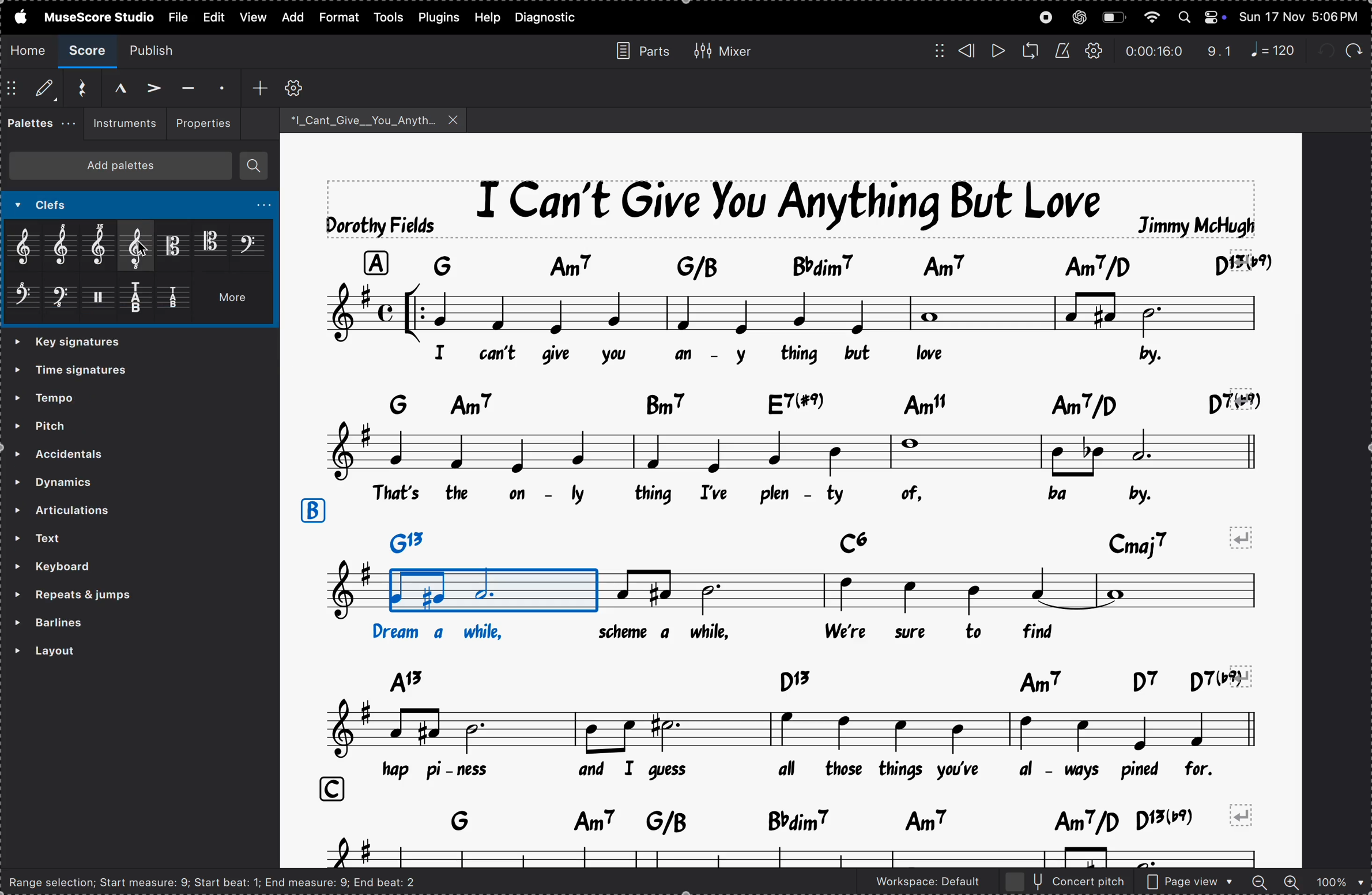 The height and width of the screenshot is (895, 1372). What do you see at coordinates (260, 87) in the screenshot?
I see `add` at bounding box center [260, 87].